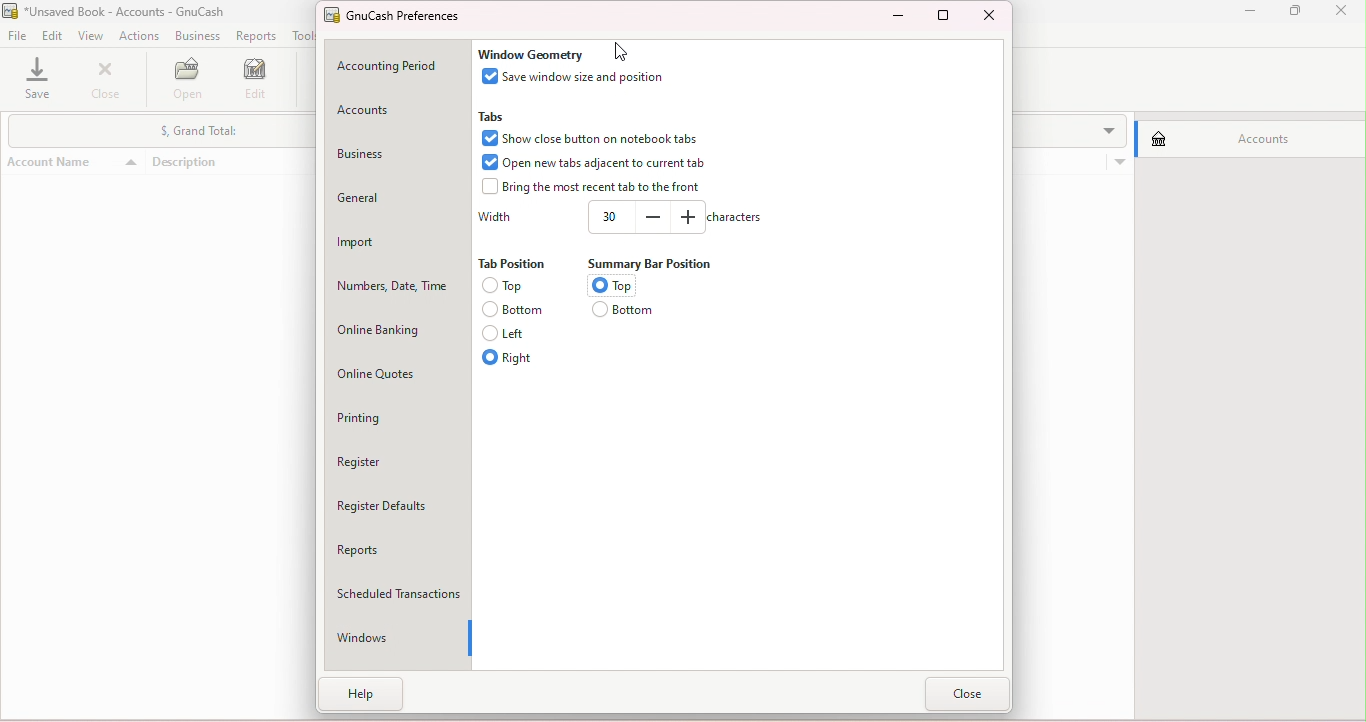 The image size is (1366, 722). What do you see at coordinates (76, 126) in the screenshot?
I see `Account name` at bounding box center [76, 126].